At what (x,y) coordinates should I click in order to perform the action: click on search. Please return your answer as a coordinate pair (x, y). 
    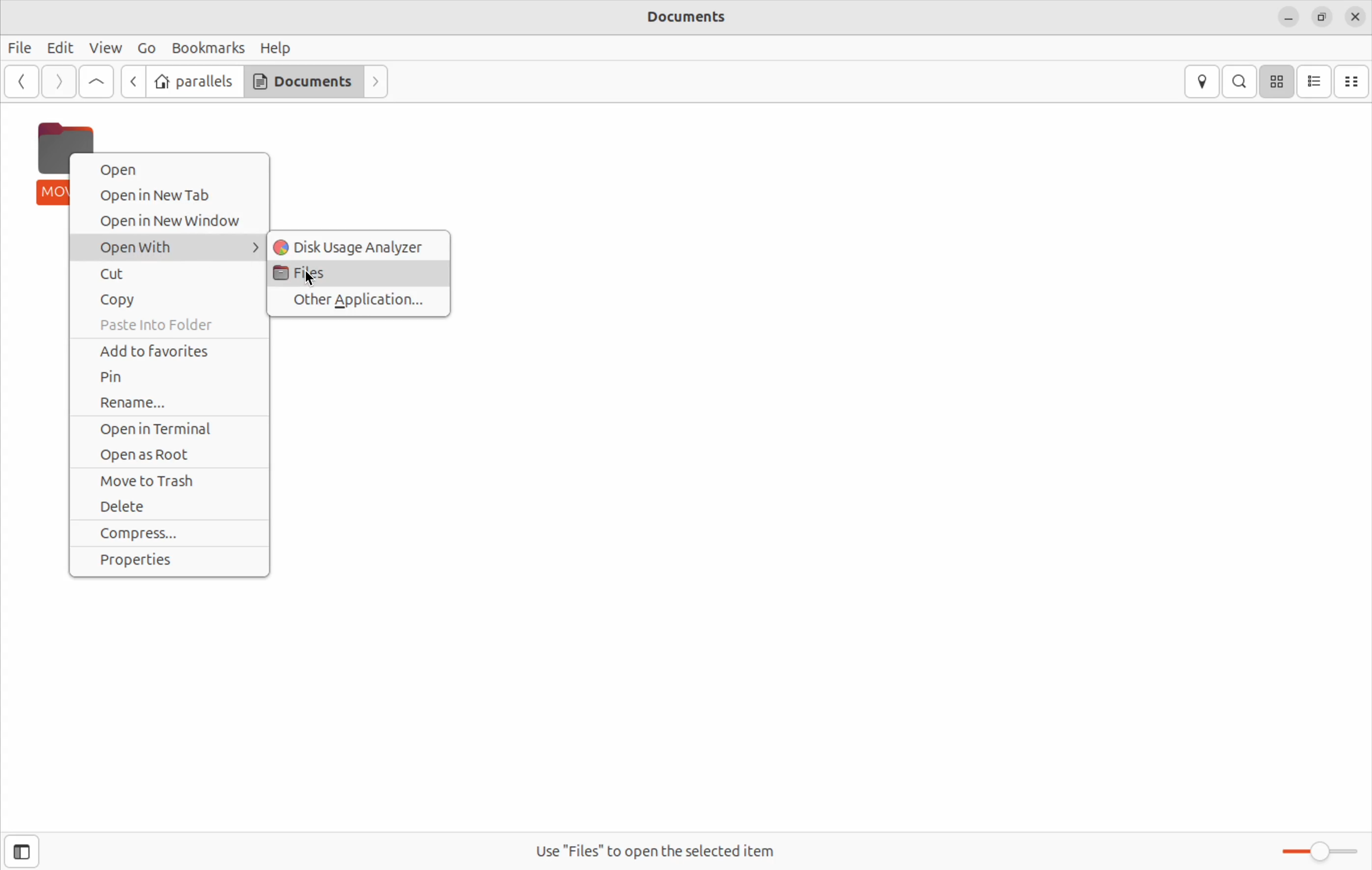
    Looking at the image, I should click on (1239, 81).